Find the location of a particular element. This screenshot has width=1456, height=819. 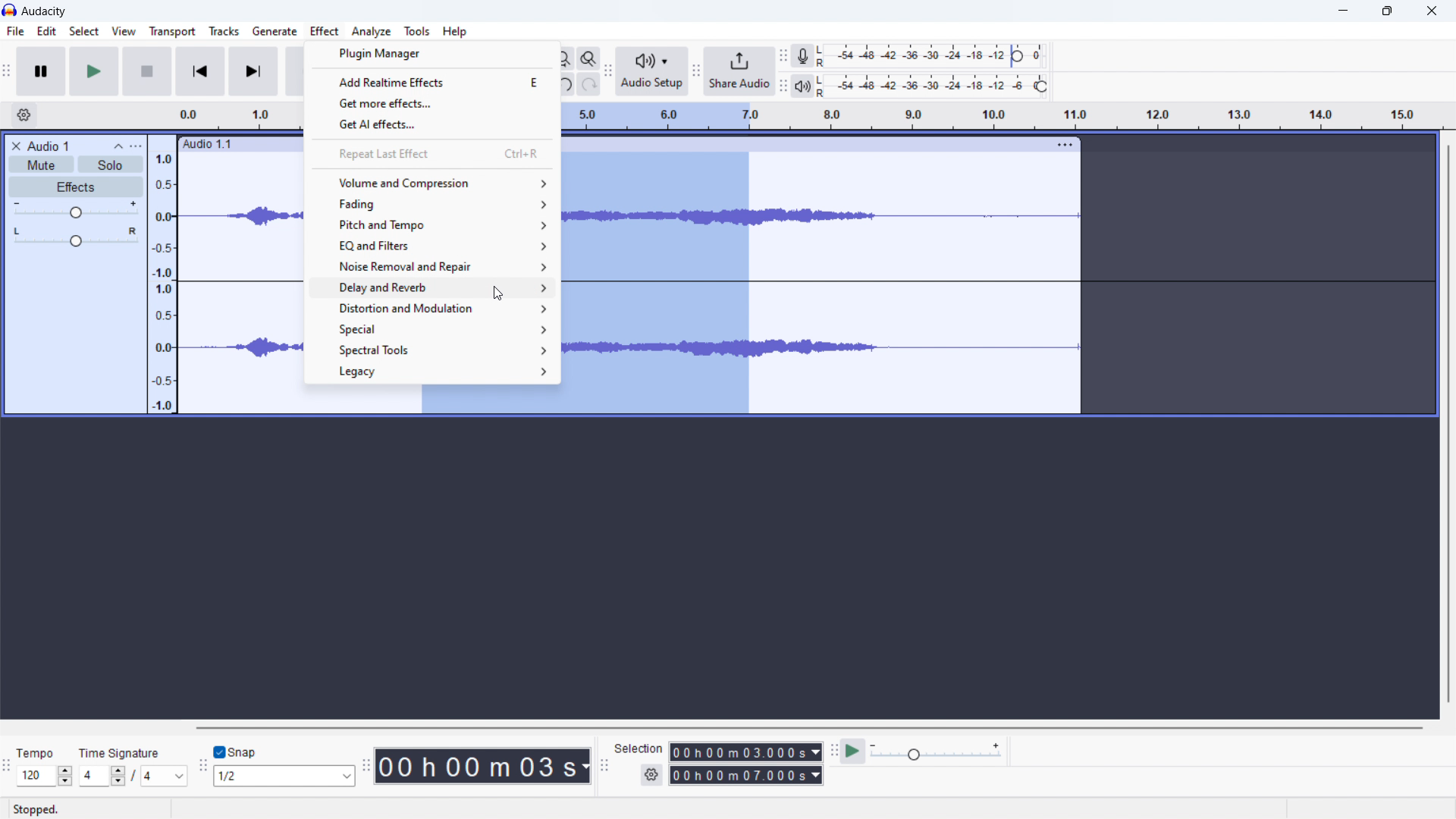

selection toolbar is located at coordinates (604, 766).